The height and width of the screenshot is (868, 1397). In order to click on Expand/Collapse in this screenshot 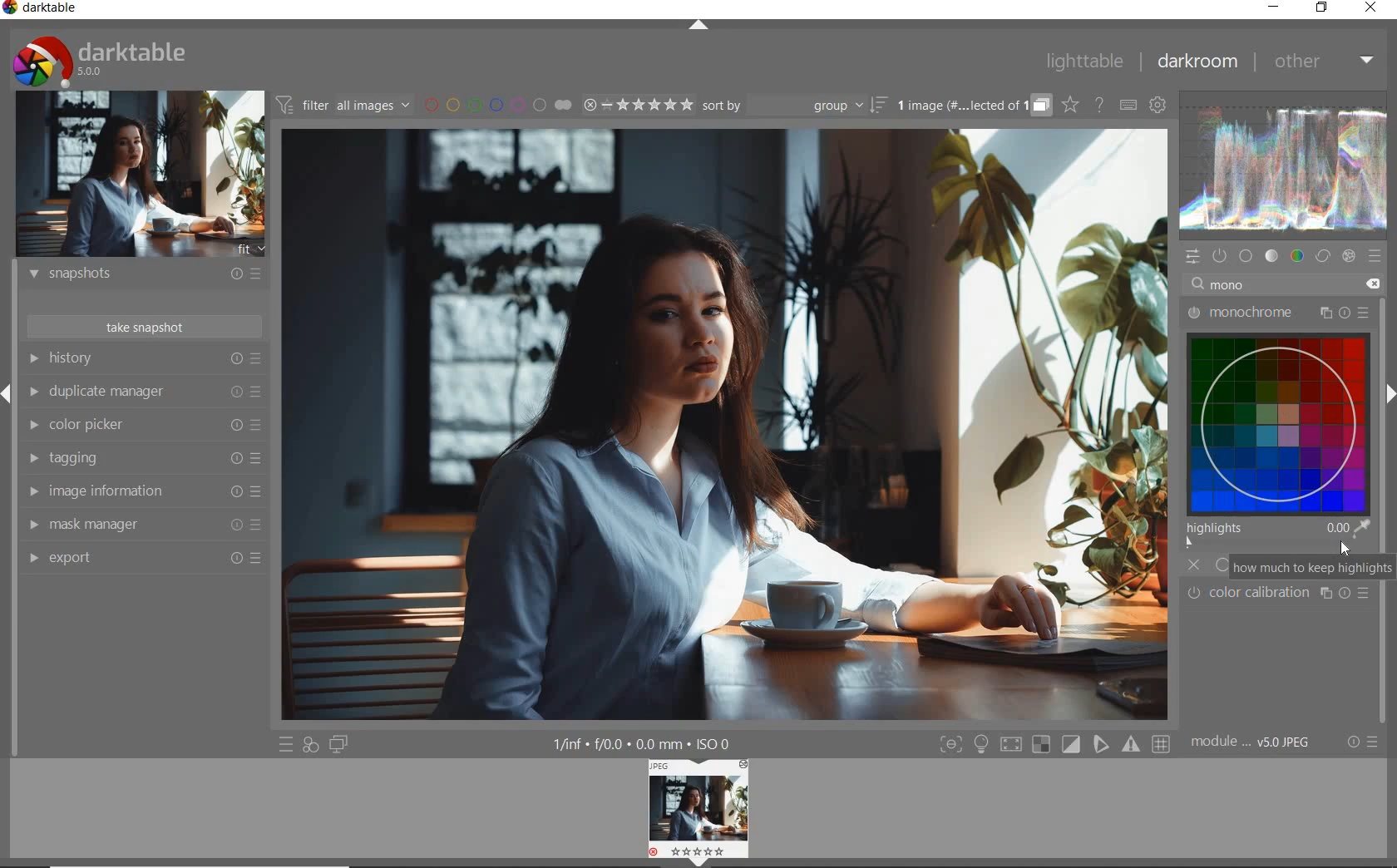, I will do `click(8, 392)`.